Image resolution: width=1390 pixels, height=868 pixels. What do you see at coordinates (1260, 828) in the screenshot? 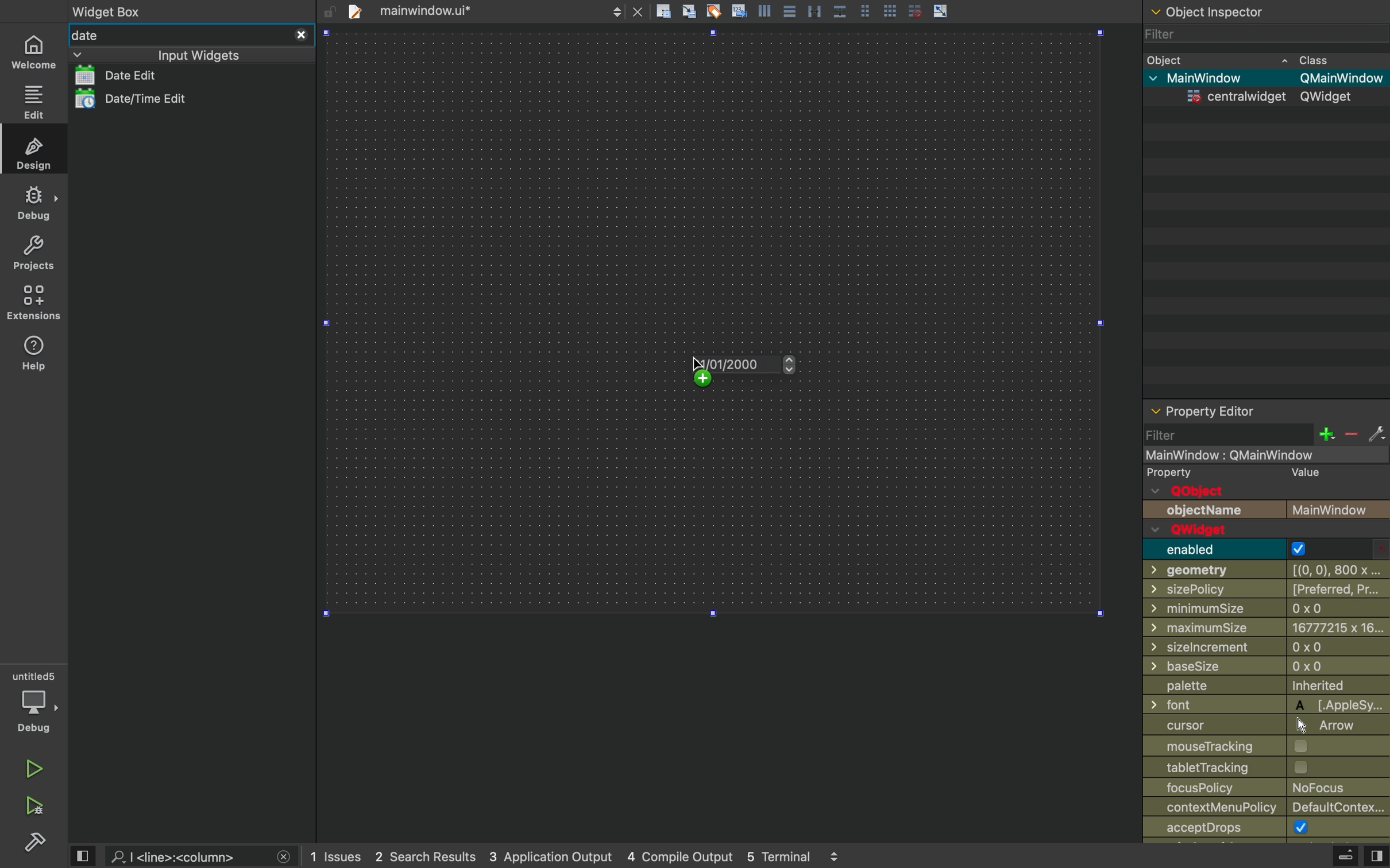
I see `accept drops` at bounding box center [1260, 828].